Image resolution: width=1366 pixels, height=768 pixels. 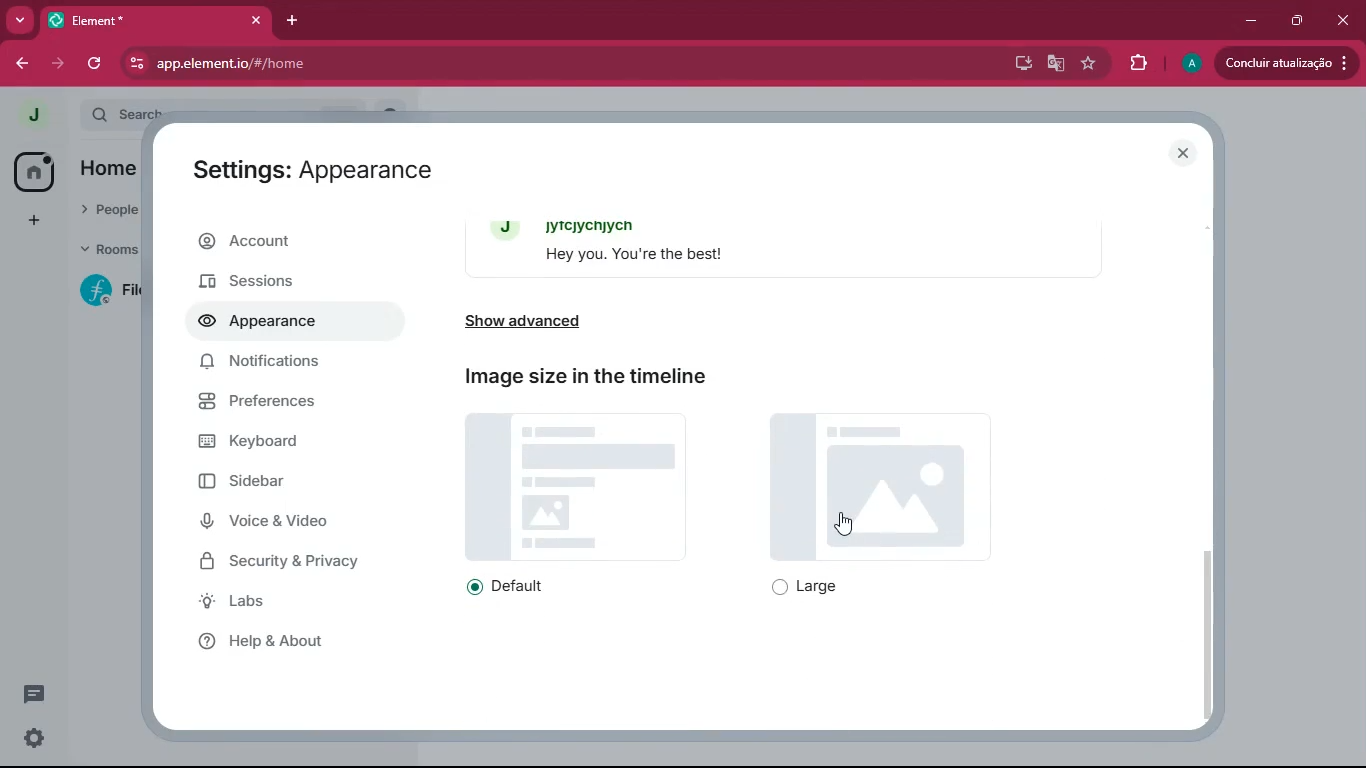 I want to click on image, so click(x=577, y=485).